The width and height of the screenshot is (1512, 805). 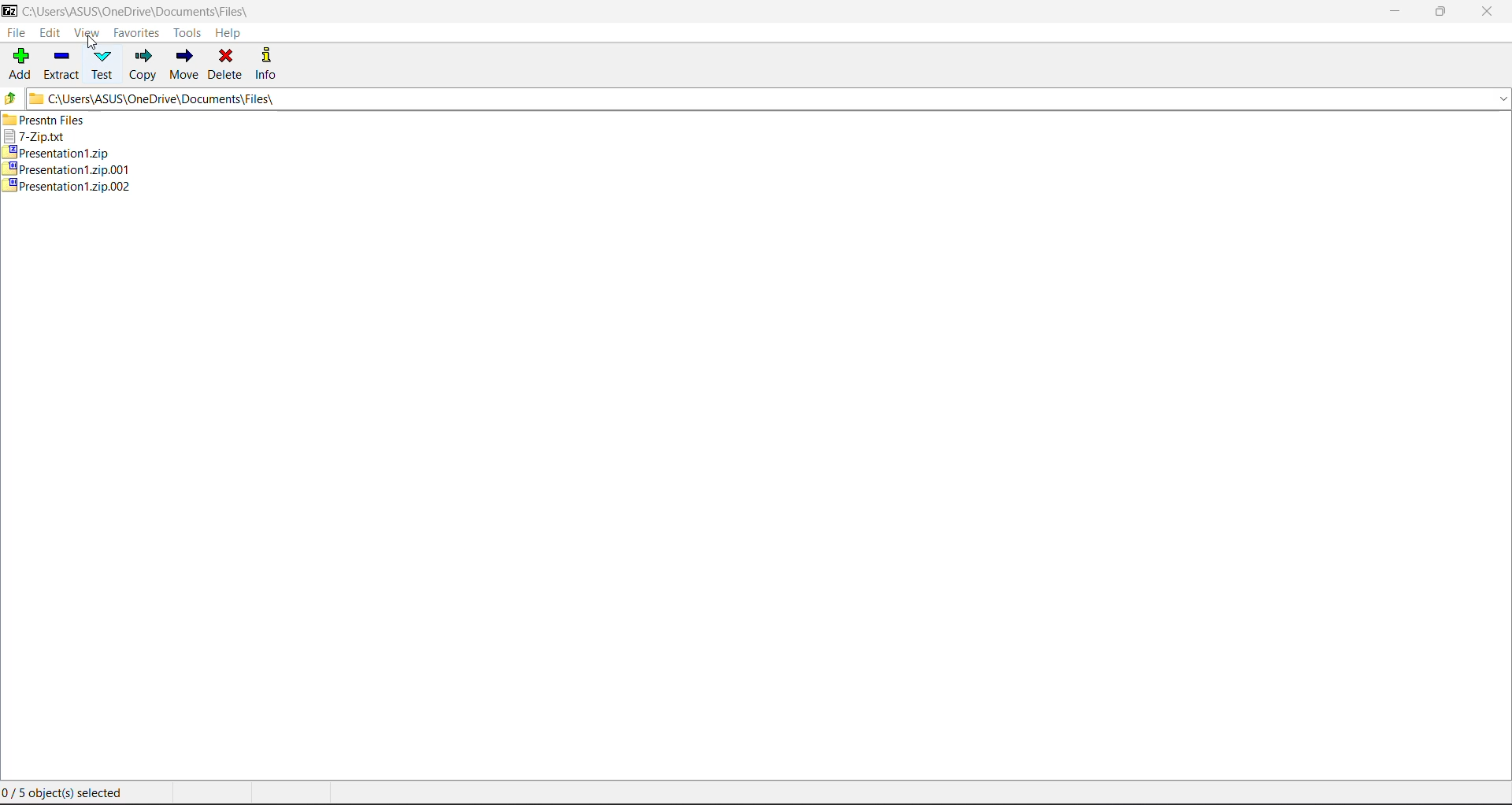 What do you see at coordinates (1392, 9) in the screenshot?
I see `Minimize` at bounding box center [1392, 9].